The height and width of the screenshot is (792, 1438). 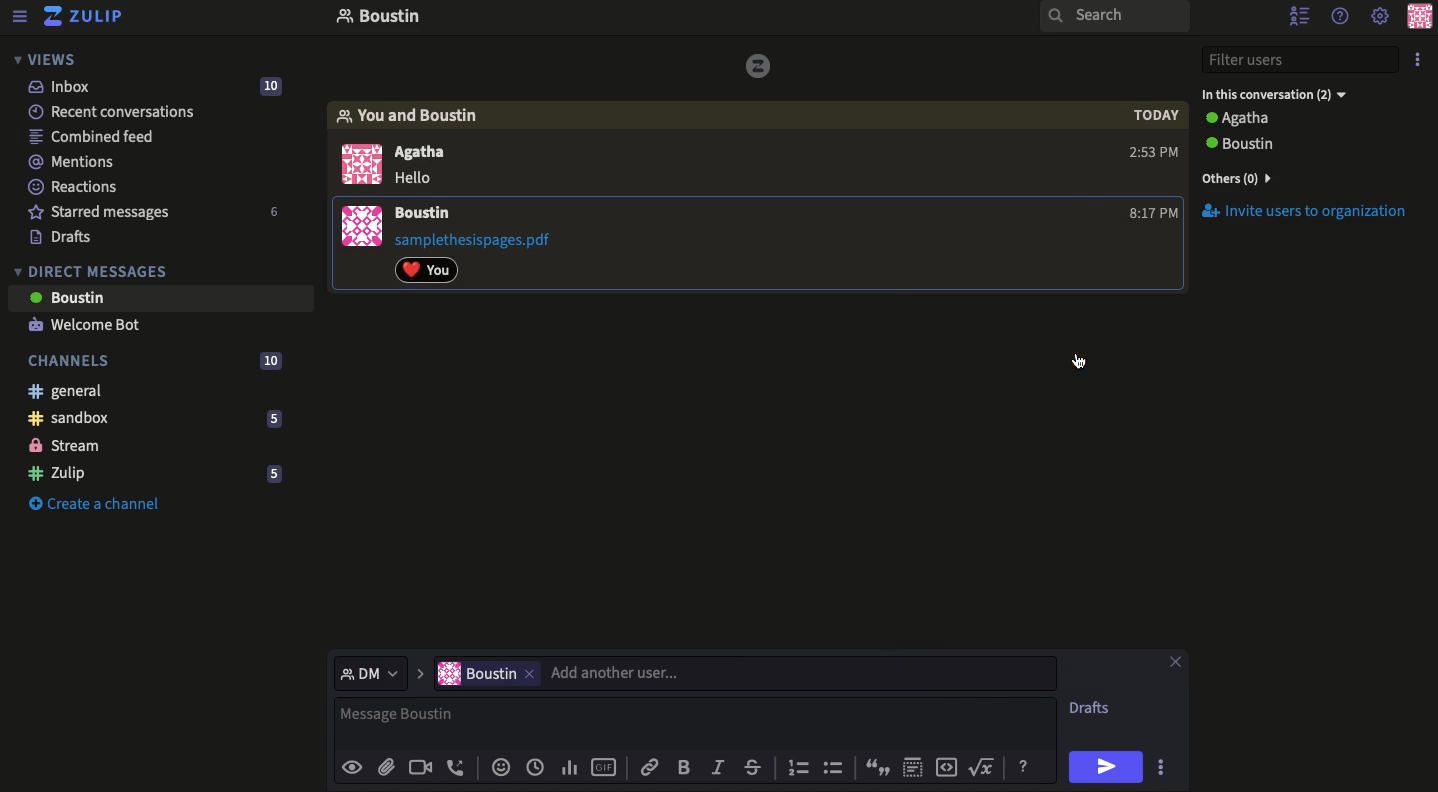 What do you see at coordinates (689, 766) in the screenshot?
I see `Bold` at bounding box center [689, 766].